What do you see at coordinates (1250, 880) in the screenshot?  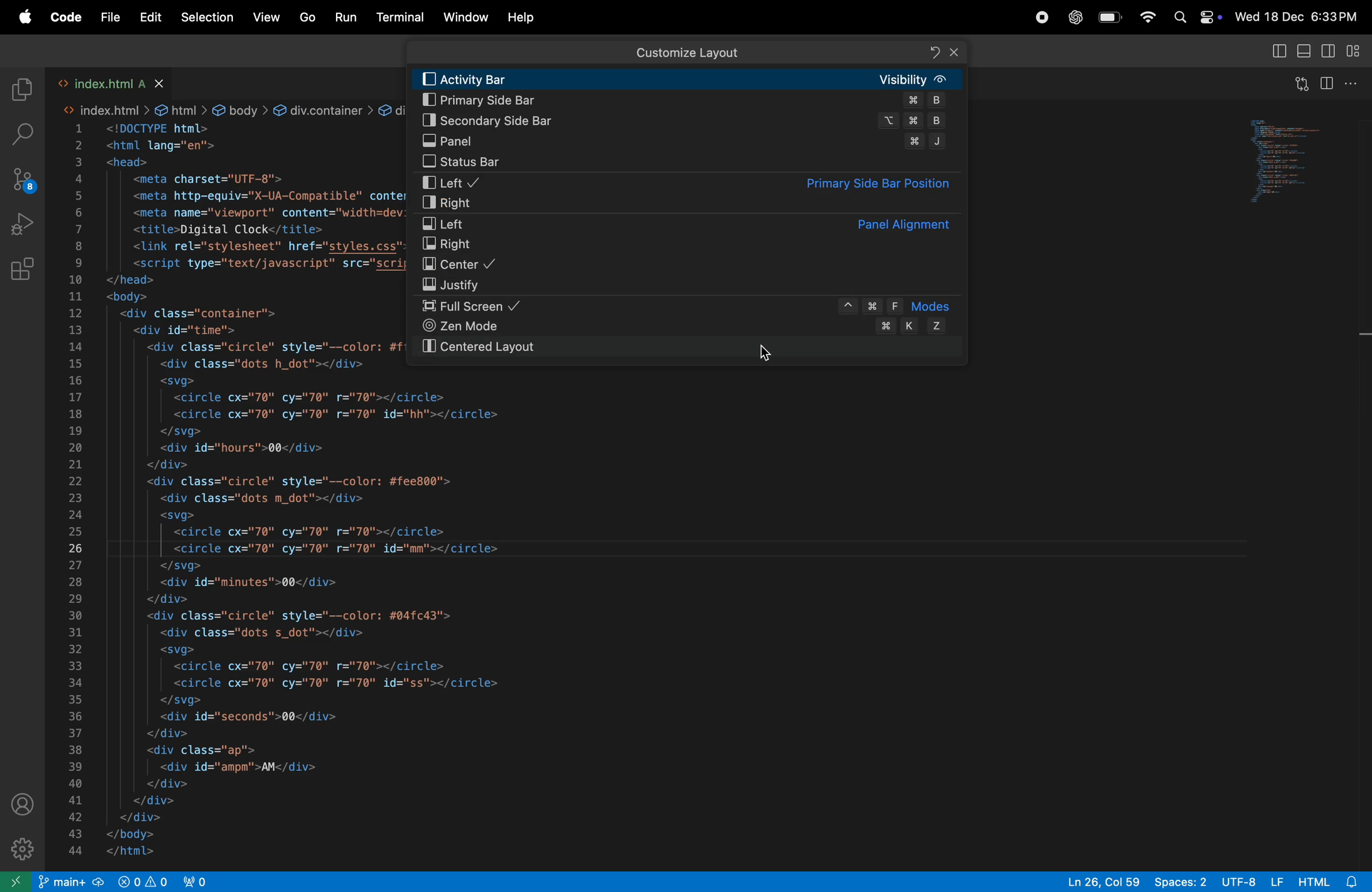 I see `utf-8 lf` at bounding box center [1250, 880].